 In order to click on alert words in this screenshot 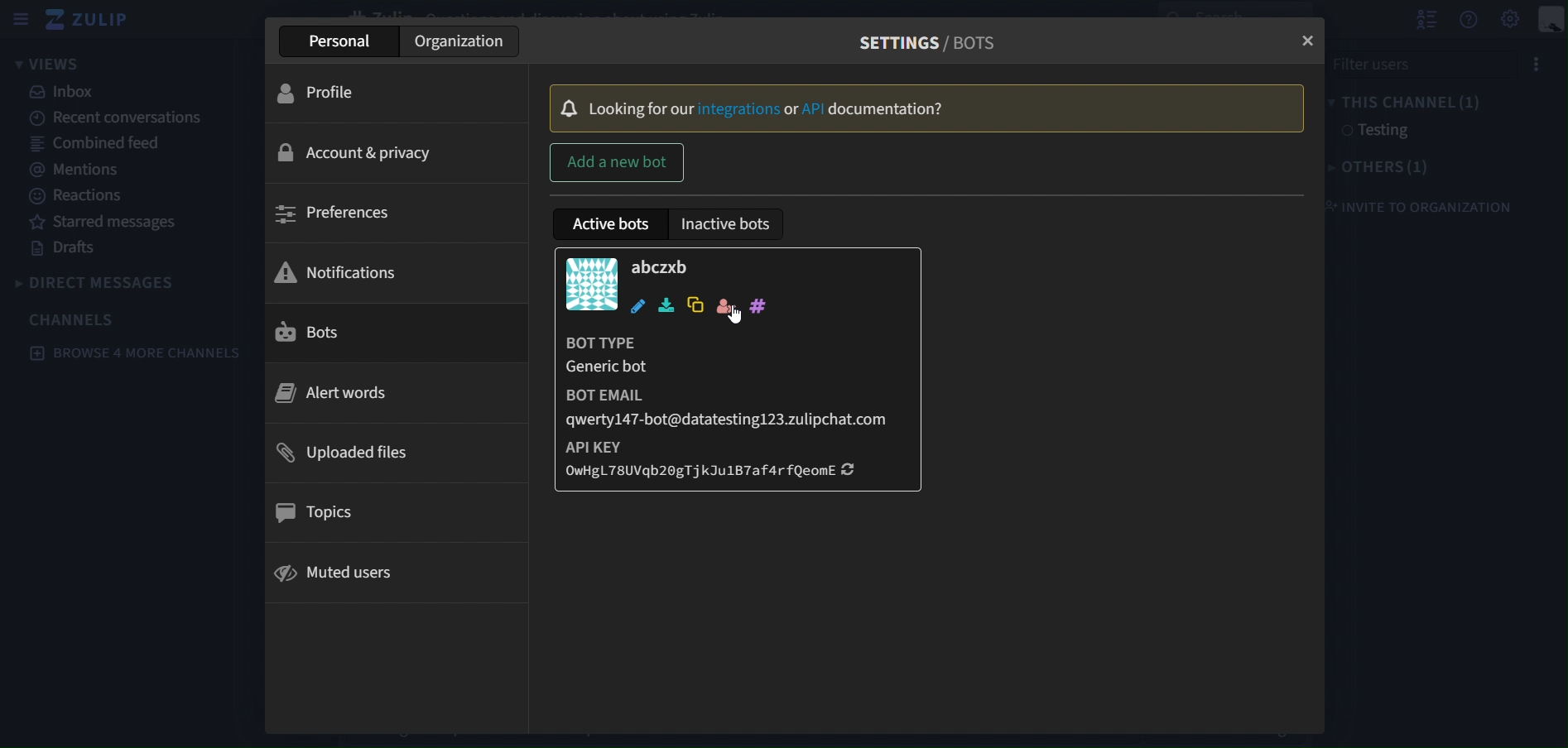, I will do `click(335, 393)`.